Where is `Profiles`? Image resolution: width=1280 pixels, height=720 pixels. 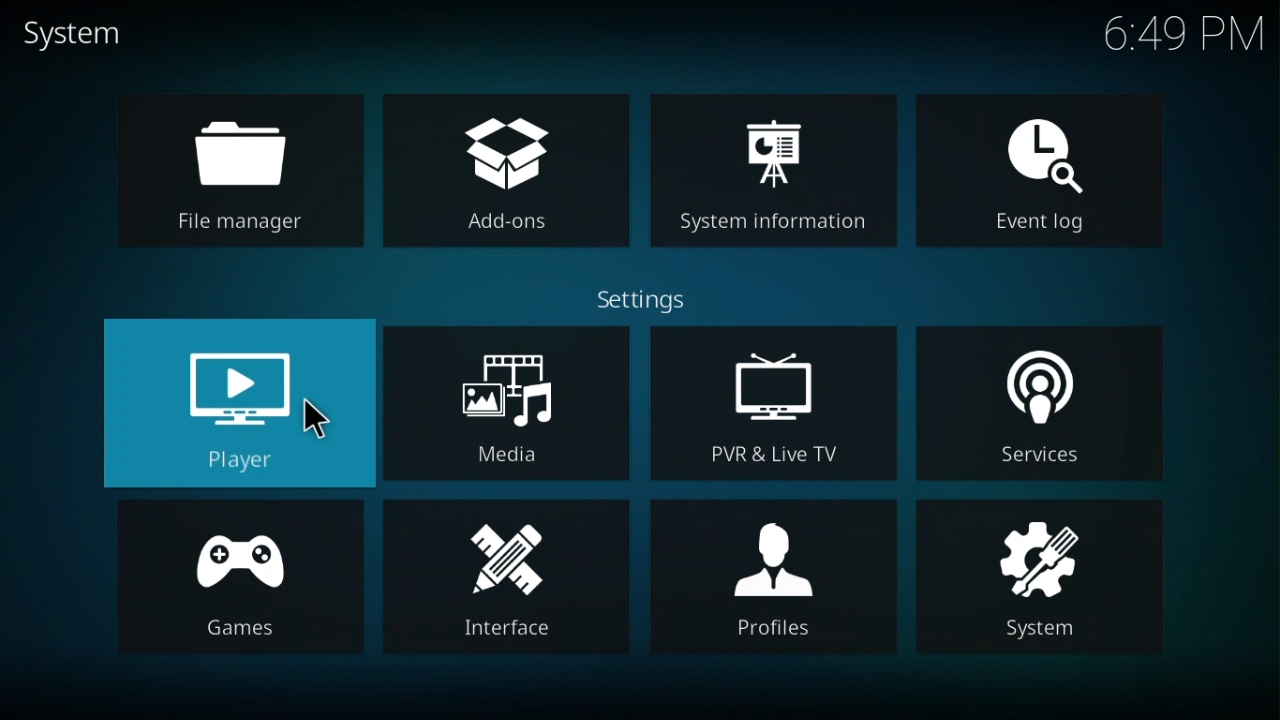 Profiles is located at coordinates (775, 573).